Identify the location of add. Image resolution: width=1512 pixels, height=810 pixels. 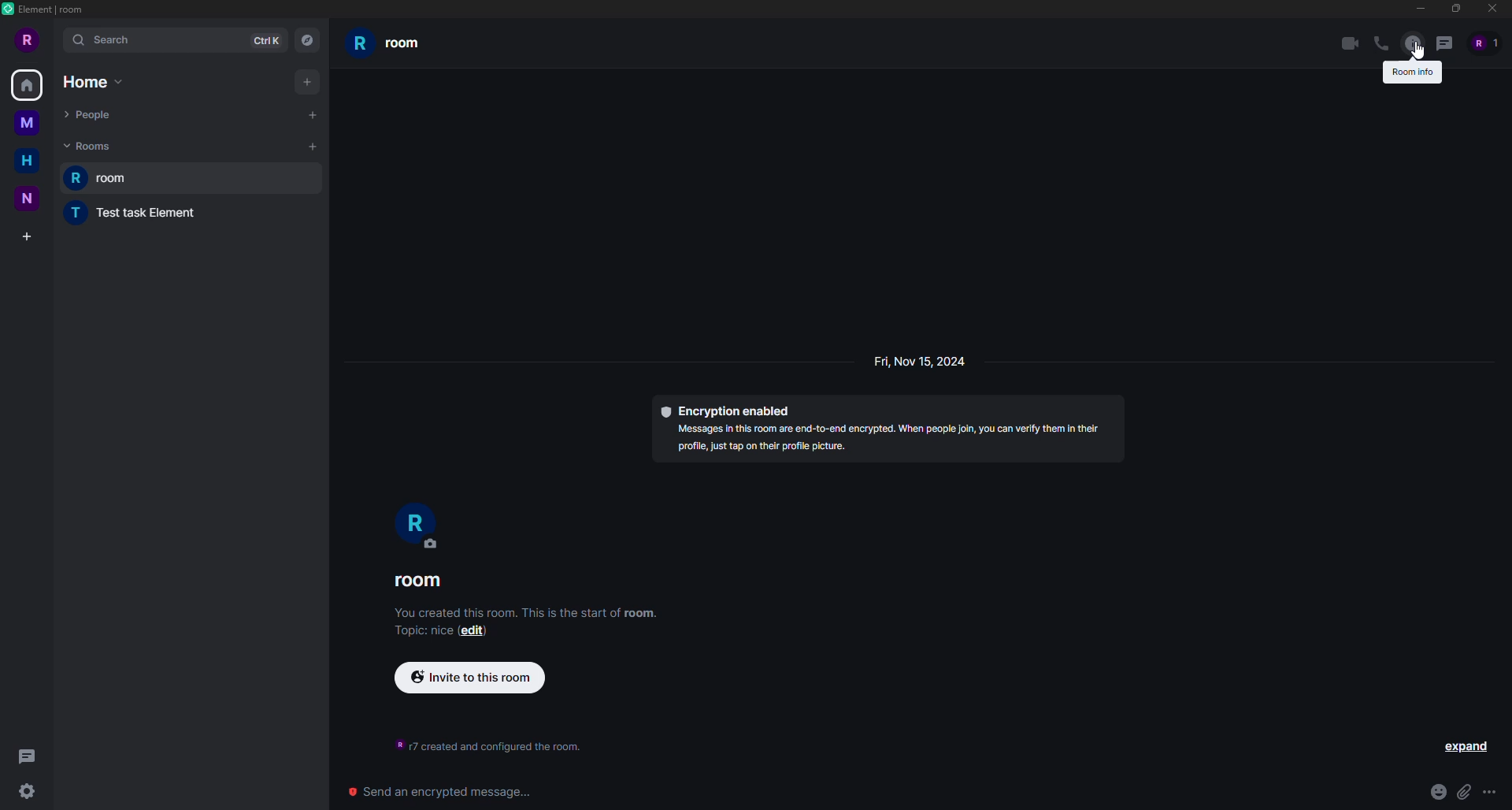
(313, 147).